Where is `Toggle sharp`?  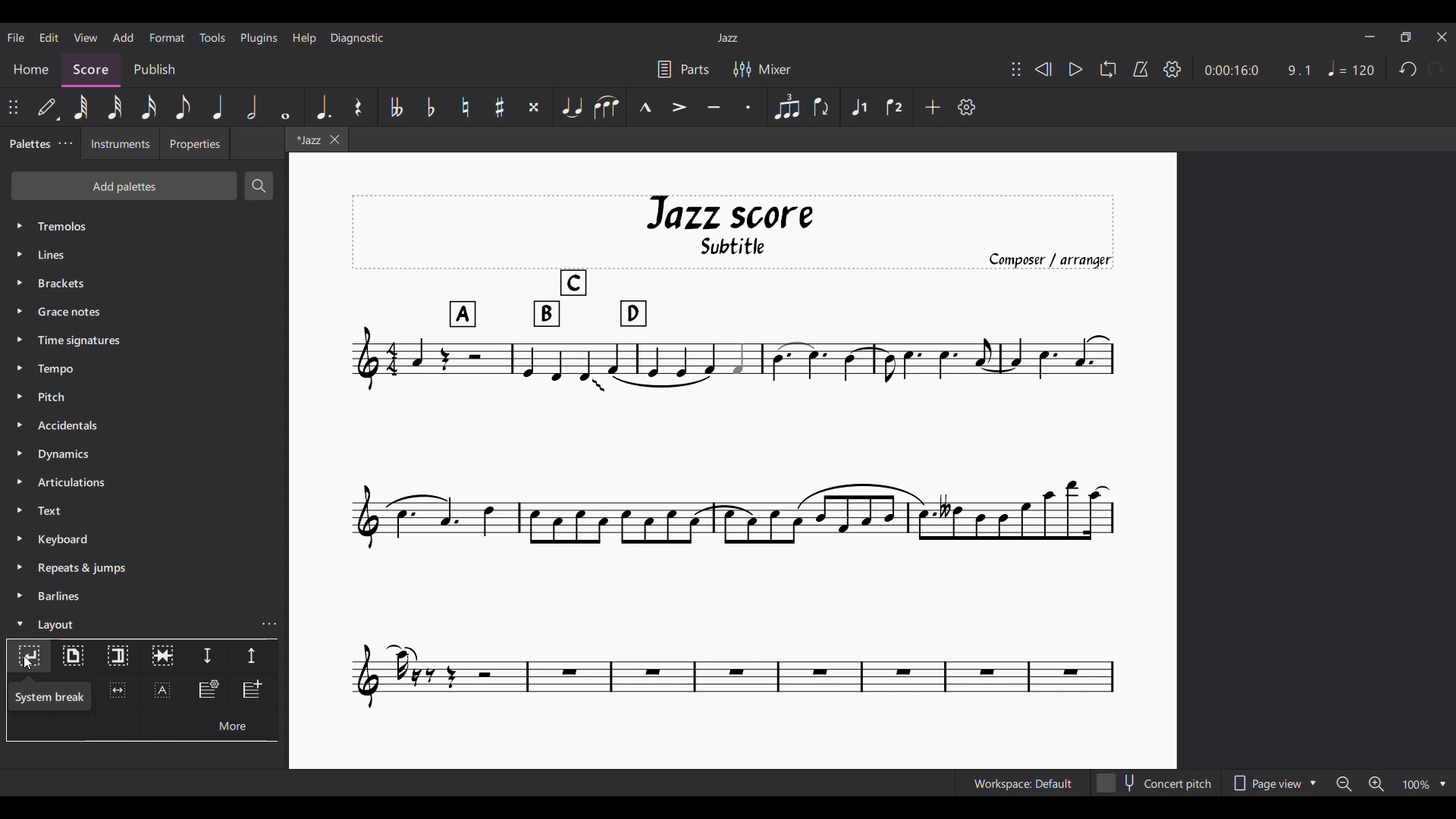
Toggle sharp is located at coordinates (500, 107).